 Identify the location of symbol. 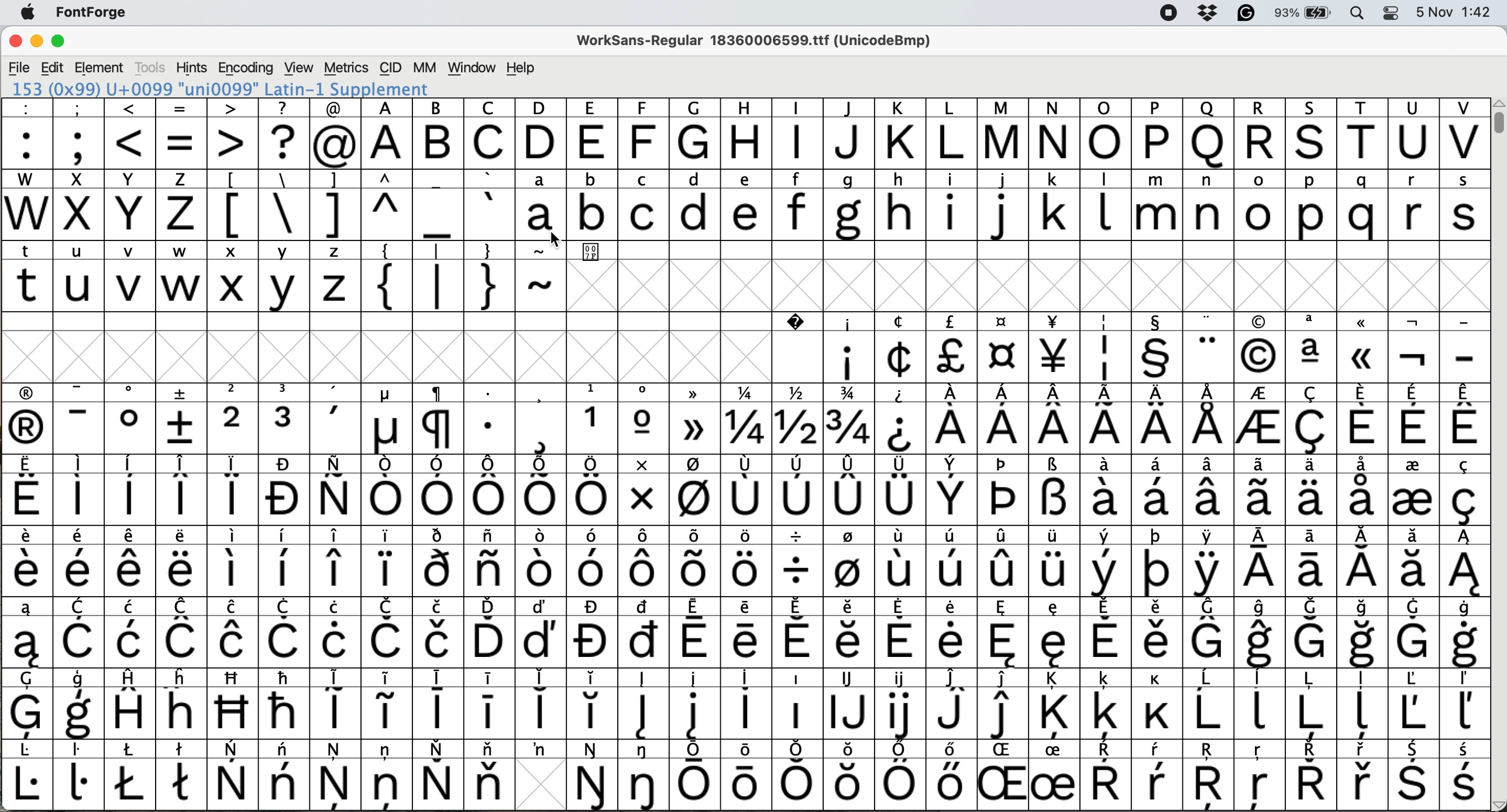
(79, 774).